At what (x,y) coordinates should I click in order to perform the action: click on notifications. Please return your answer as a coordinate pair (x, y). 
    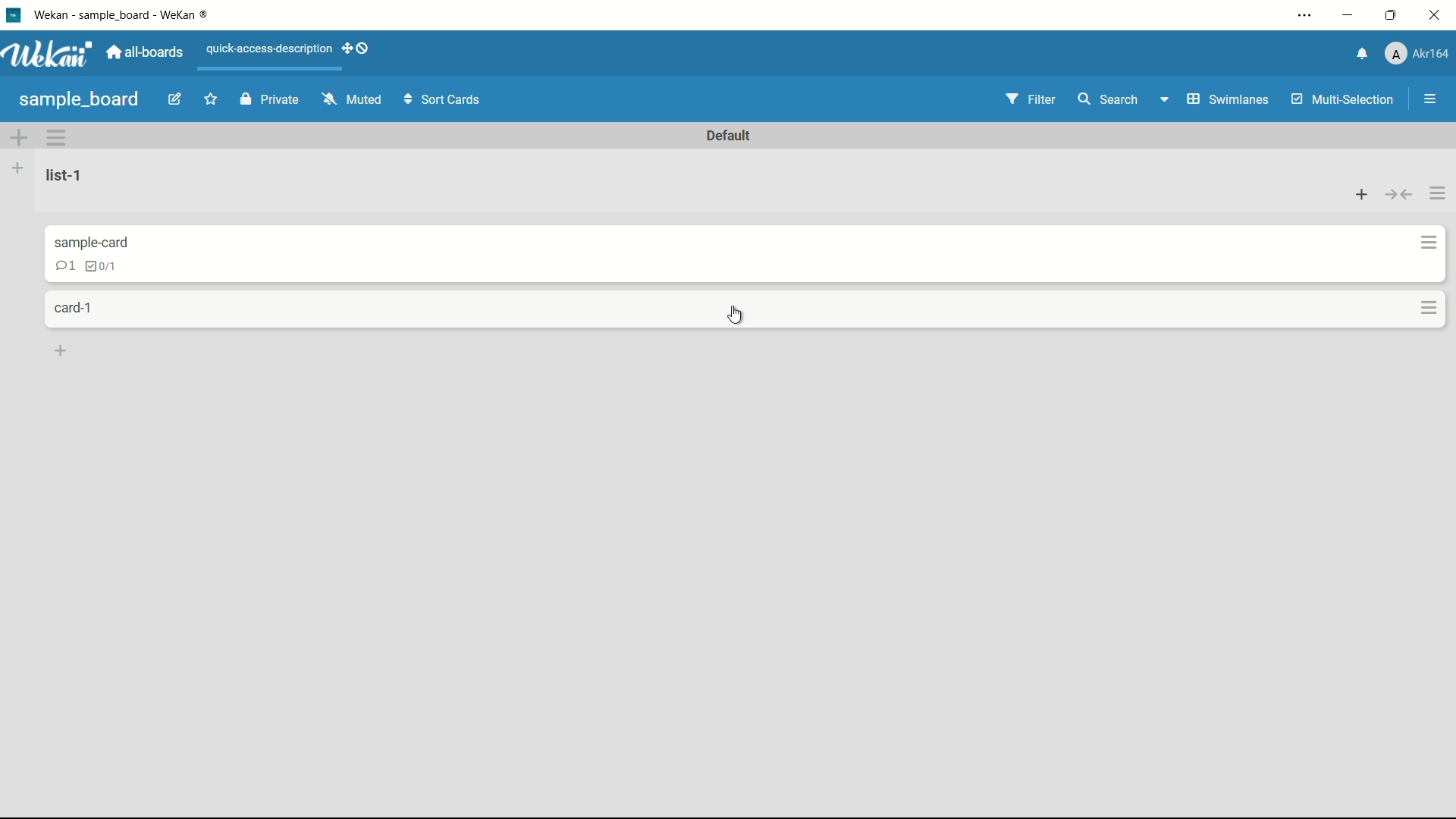
    Looking at the image, I should click on (1363, 53).